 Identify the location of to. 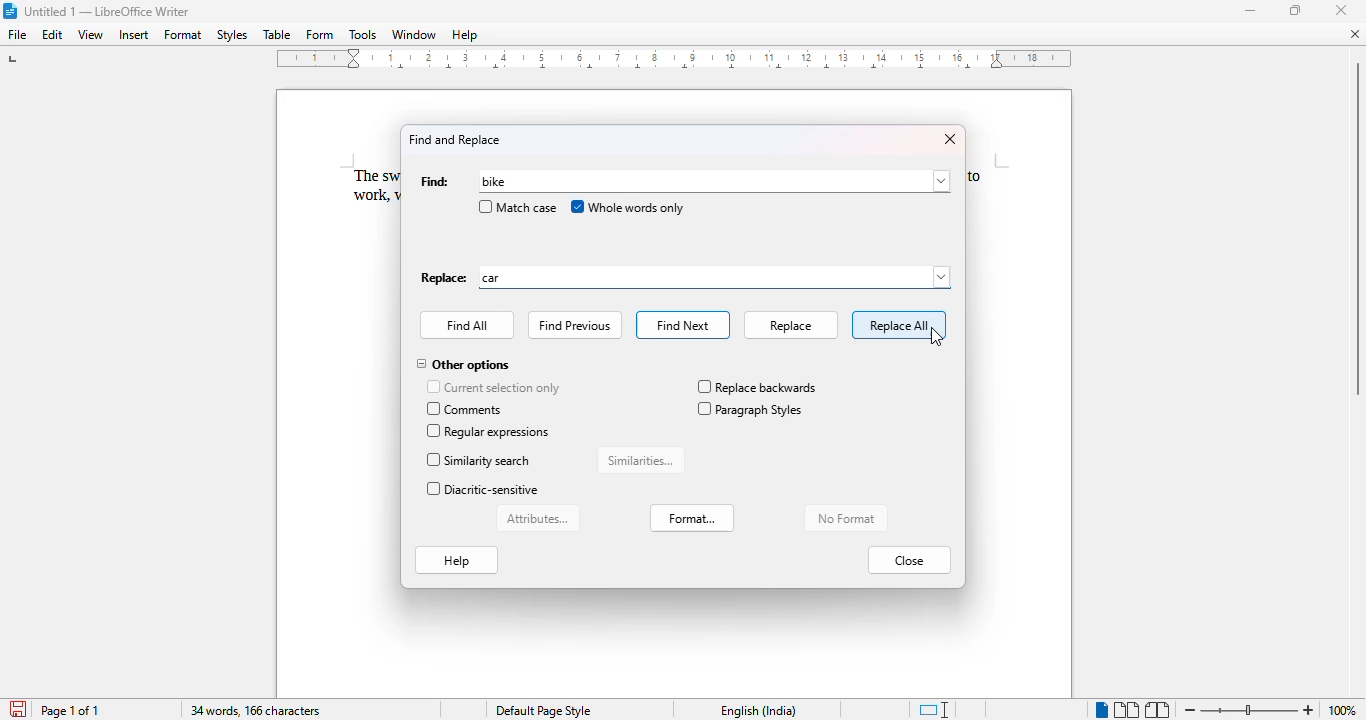
(974, 176).